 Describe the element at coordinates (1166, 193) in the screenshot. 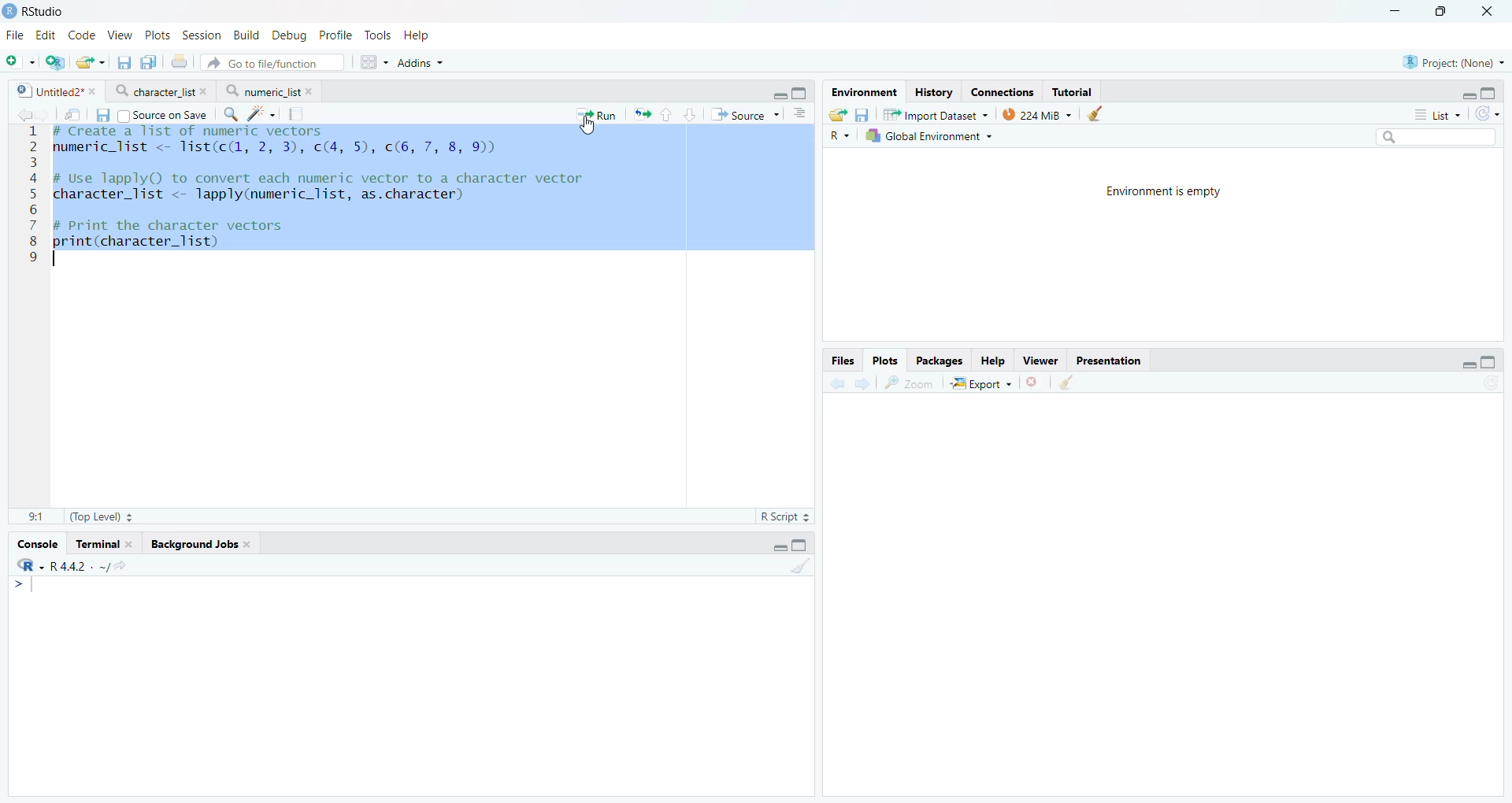

I see `Environment is empty` at that location.